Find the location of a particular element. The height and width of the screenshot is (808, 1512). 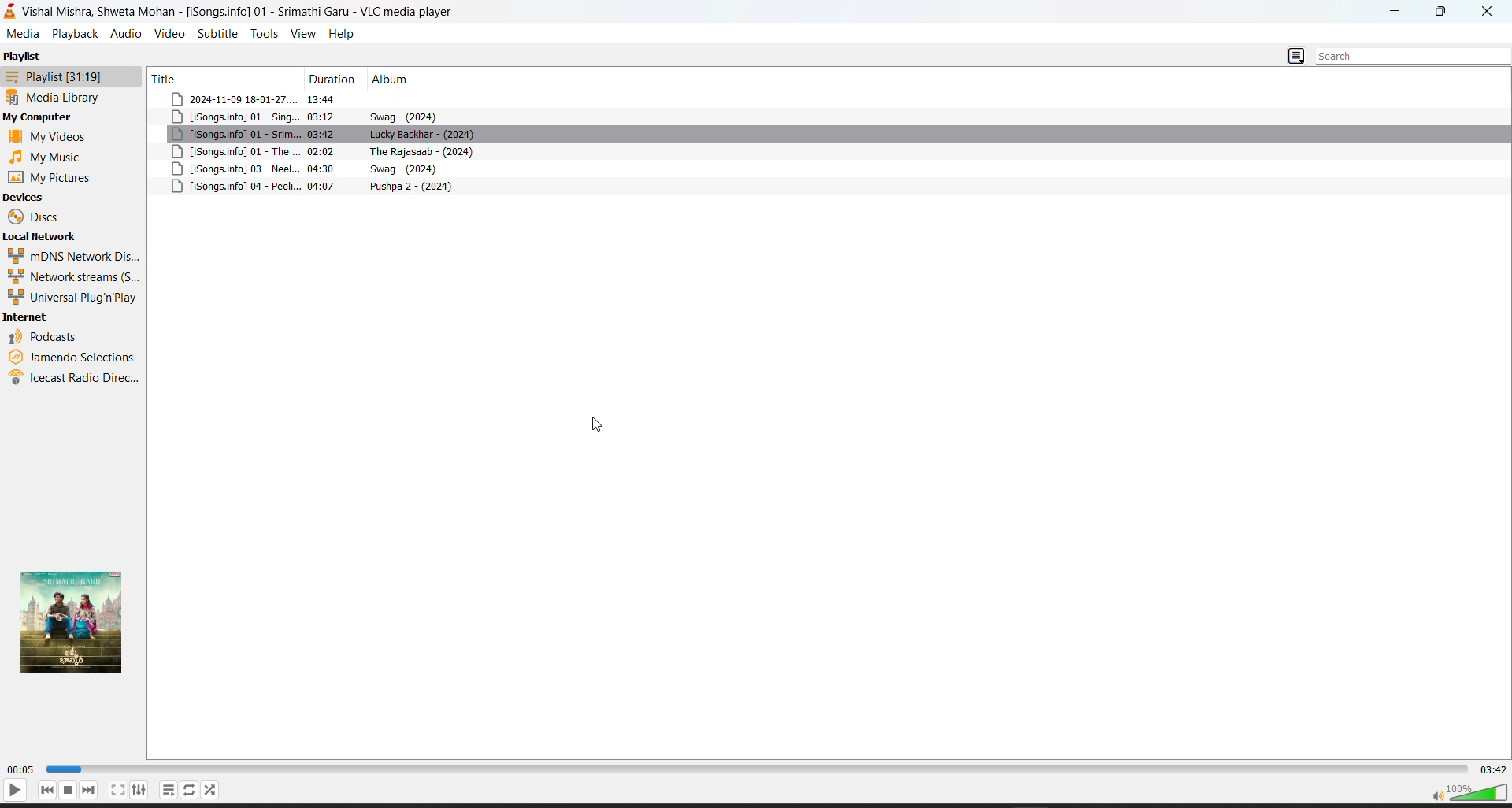

mdns network is located at coordinates (73, 256).